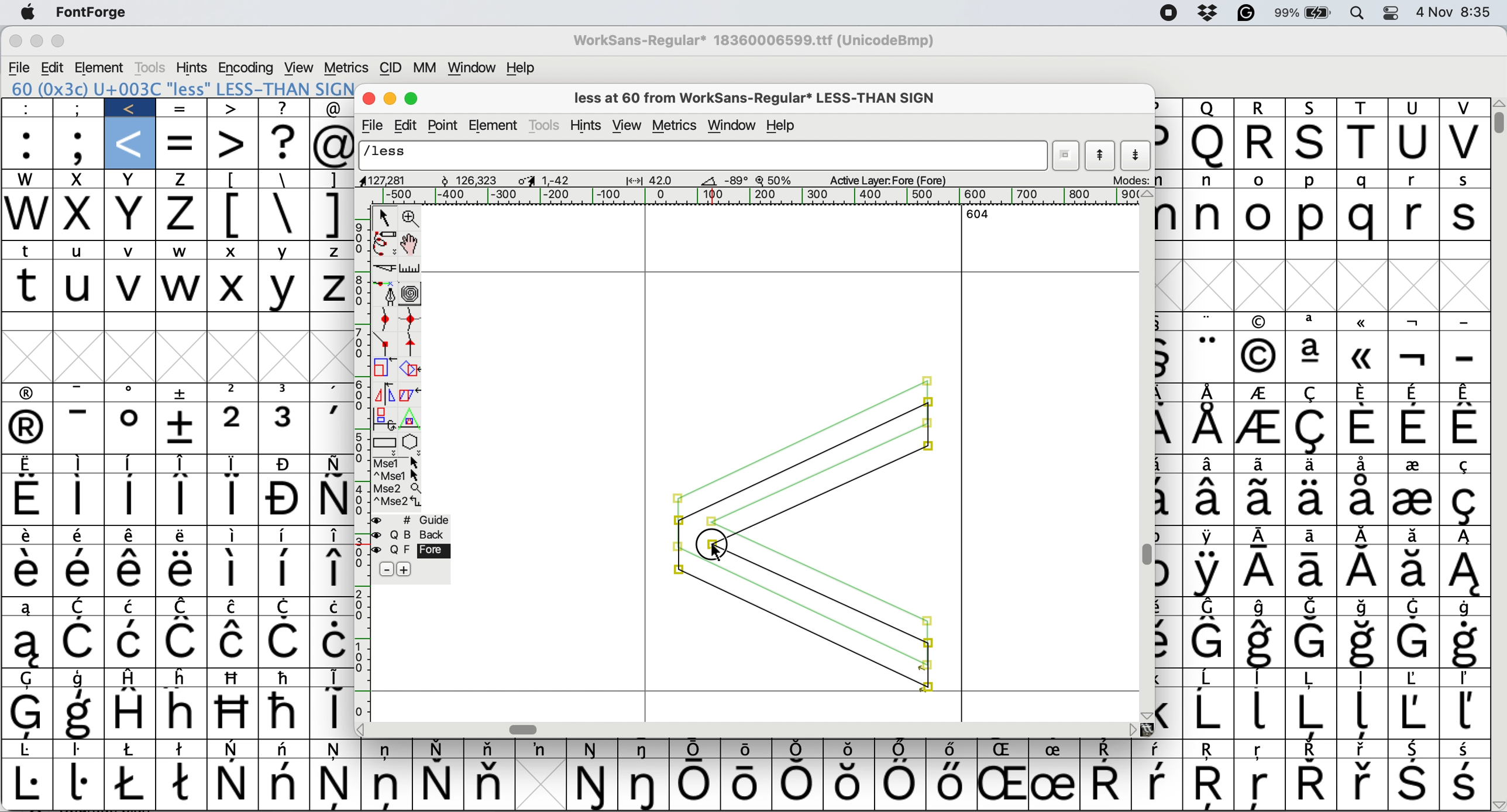  Describe the element at coordinates (420, 518) in the screenshot. I see `guide` at that location.